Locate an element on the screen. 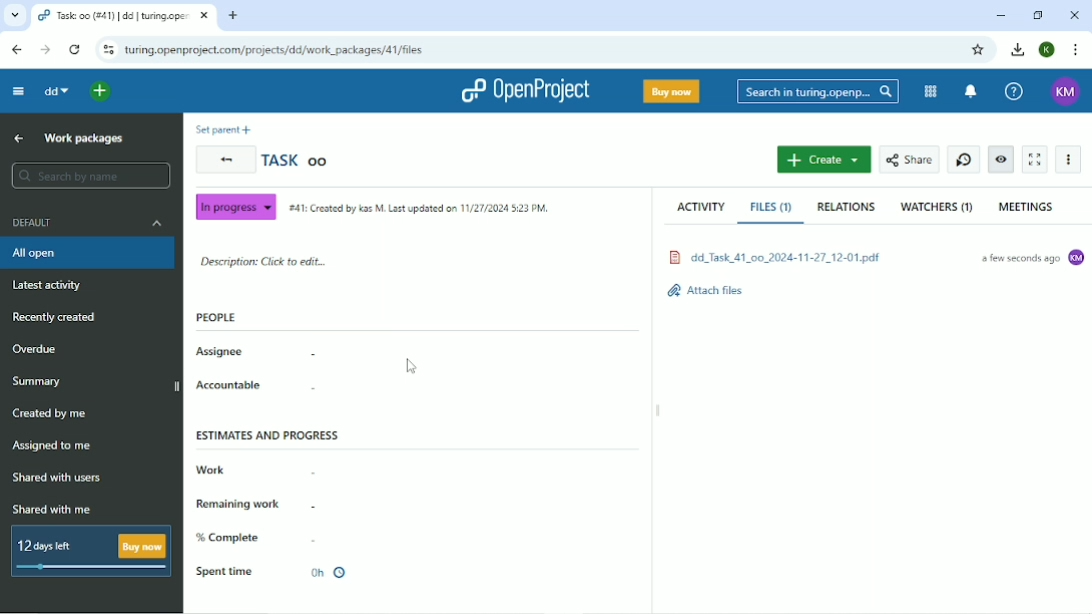 Image resolution: width=1092 pixels, height=614 pixels. Search y name is located at coordinates (92, 175).